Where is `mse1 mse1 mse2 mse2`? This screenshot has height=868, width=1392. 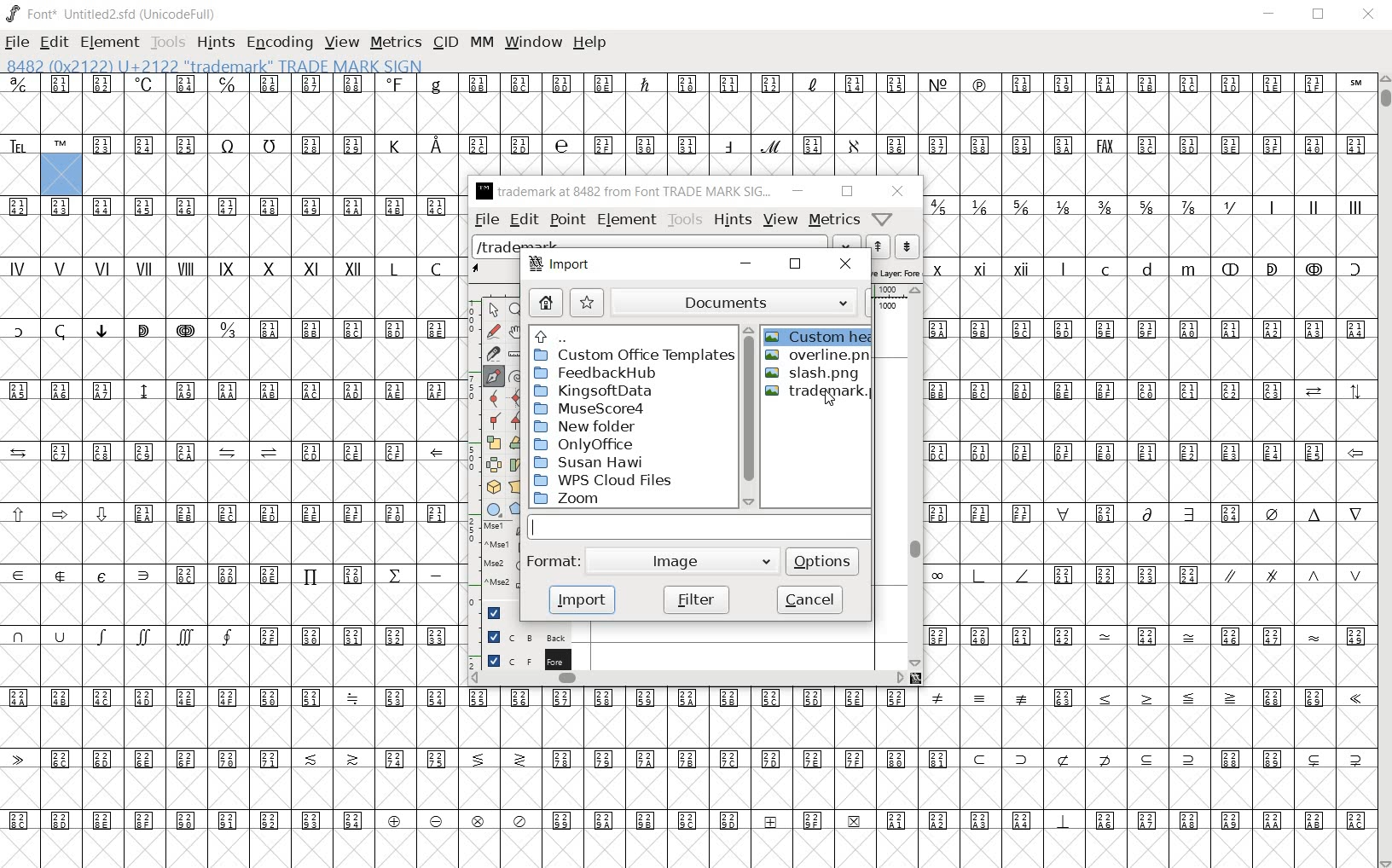 mse1 mse1 mse2 mse2 is located at coordinates (492, 557).